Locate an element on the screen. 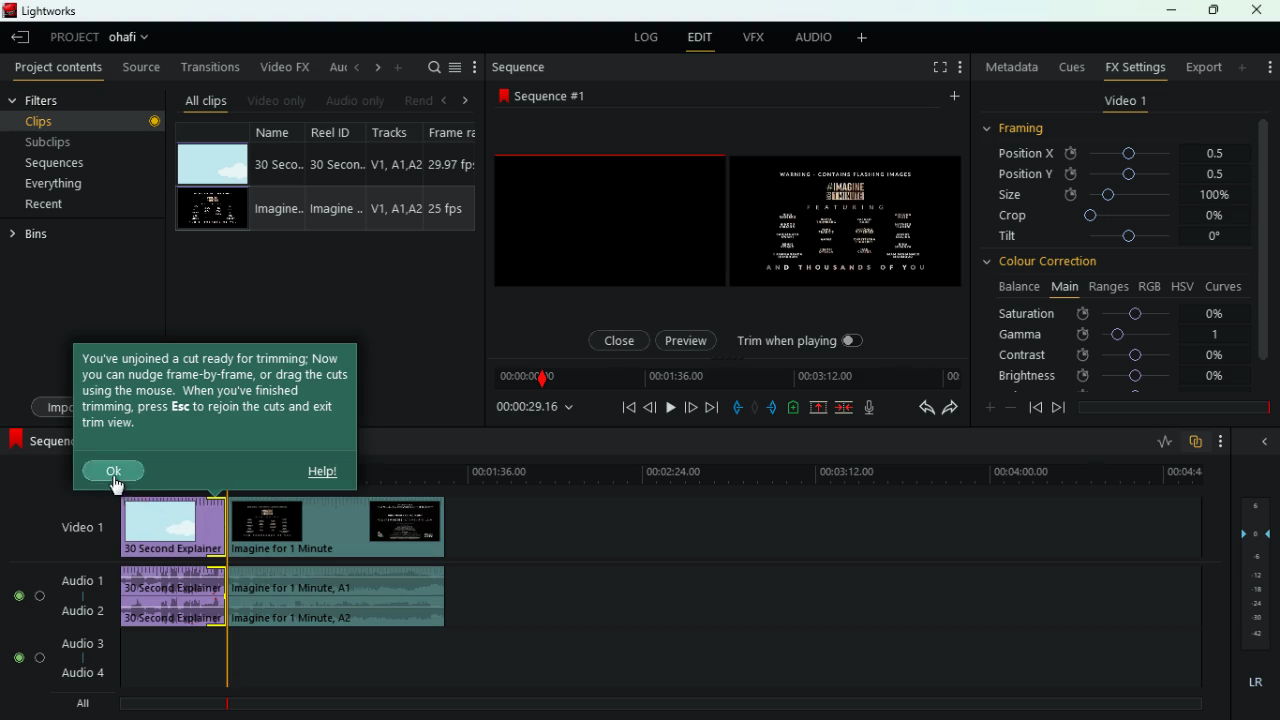 The image size is (1280, 720). framing is located at coordinates (1026, 129).